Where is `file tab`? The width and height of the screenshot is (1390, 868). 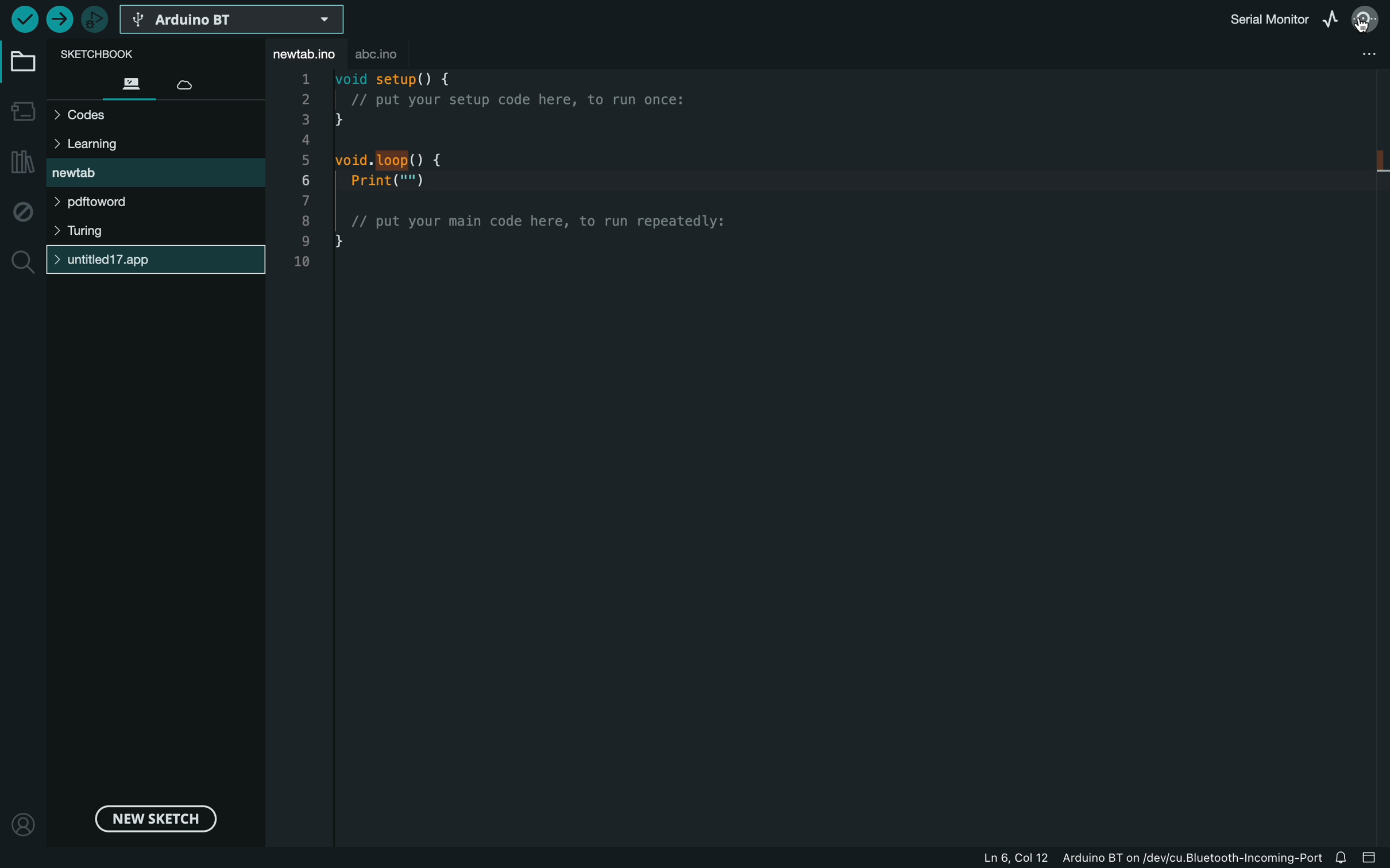 file tab is located at coordinates (303, 53).